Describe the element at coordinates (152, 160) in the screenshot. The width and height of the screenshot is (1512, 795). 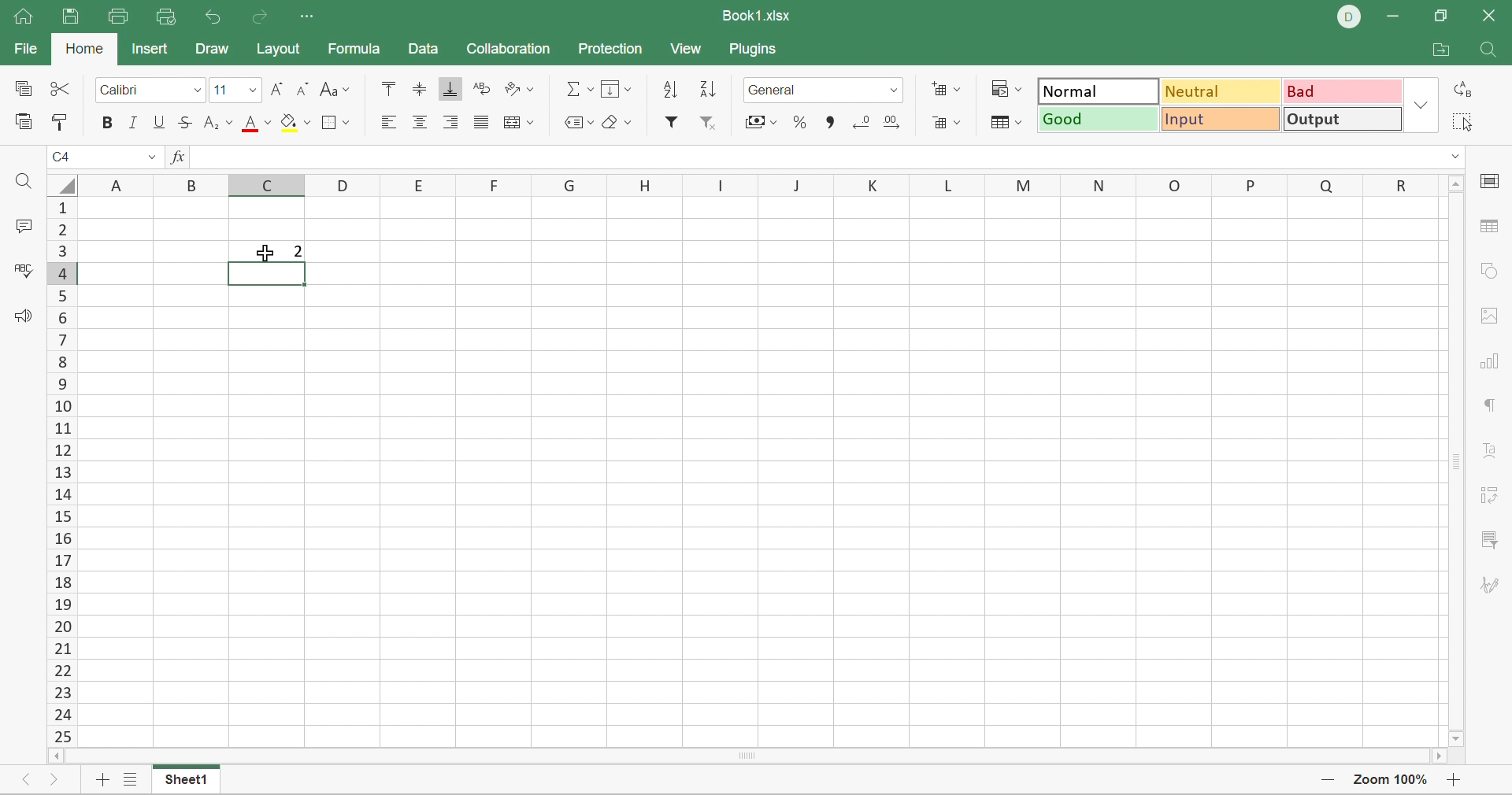
I see `Drop Down` at that location.